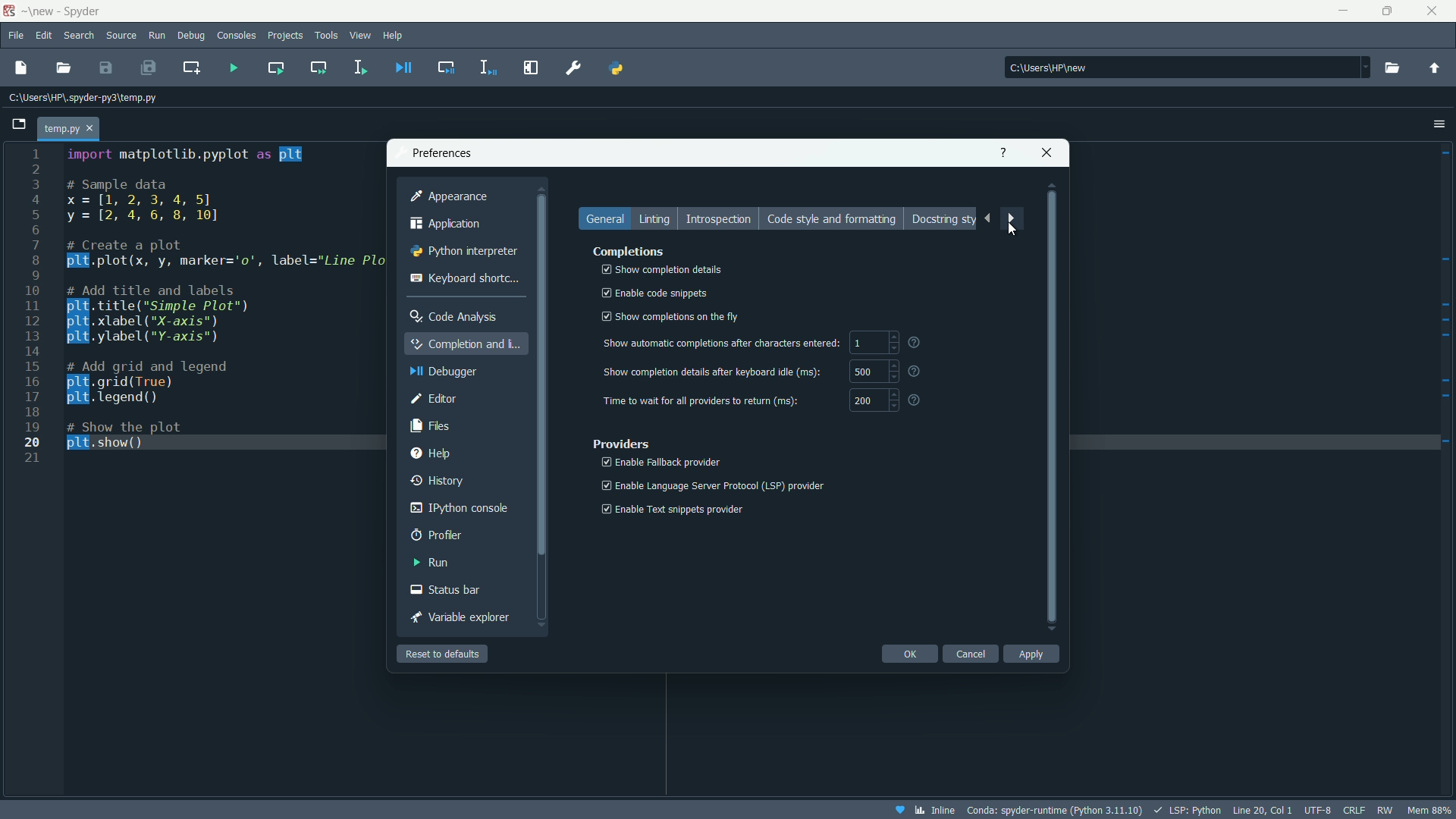 This screenshot has width=1456, height=819. I want to click on file directory, so click(83, 97).